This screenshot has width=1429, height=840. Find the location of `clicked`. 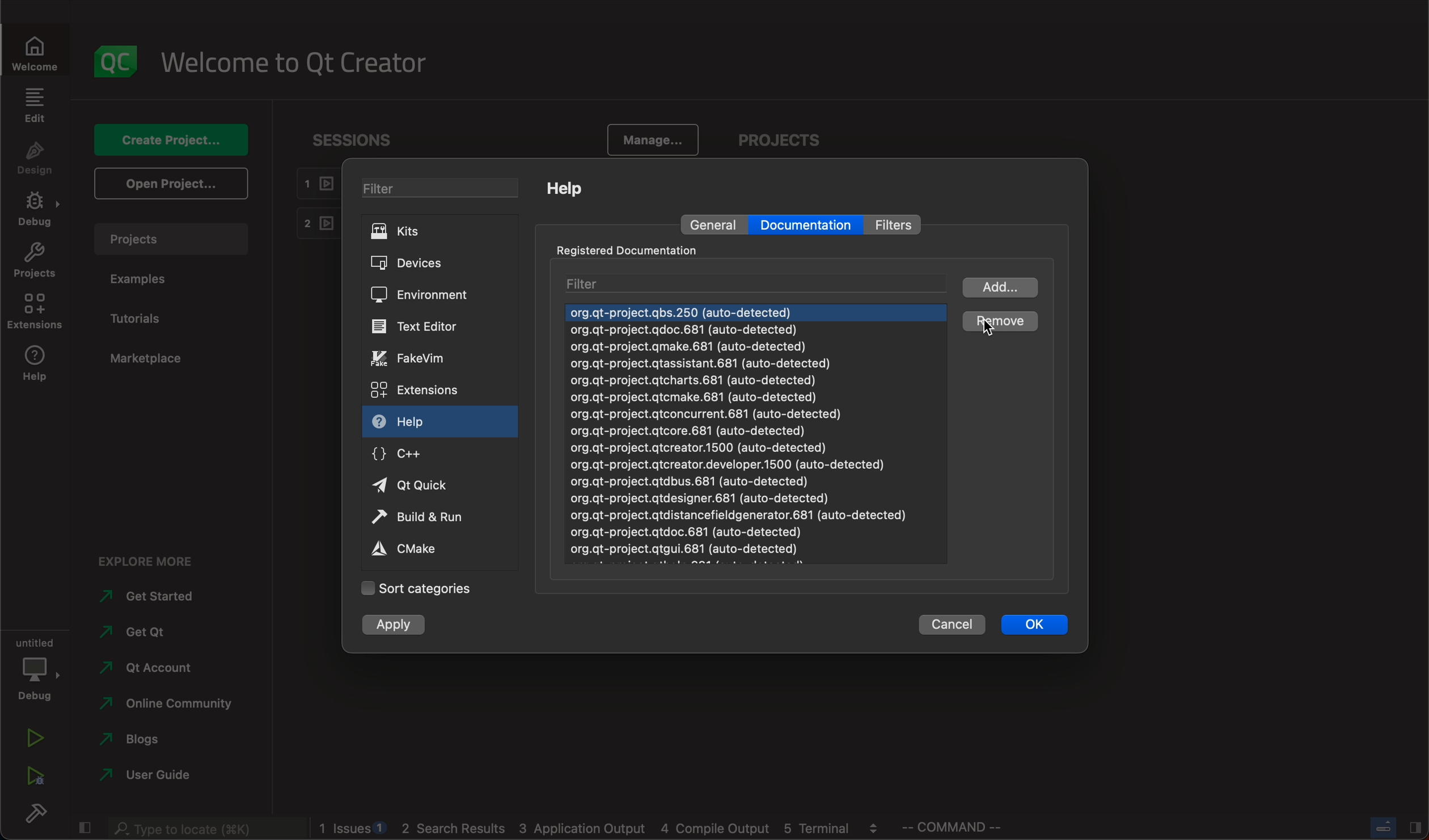

clicked is located at coordinates (999, 323).